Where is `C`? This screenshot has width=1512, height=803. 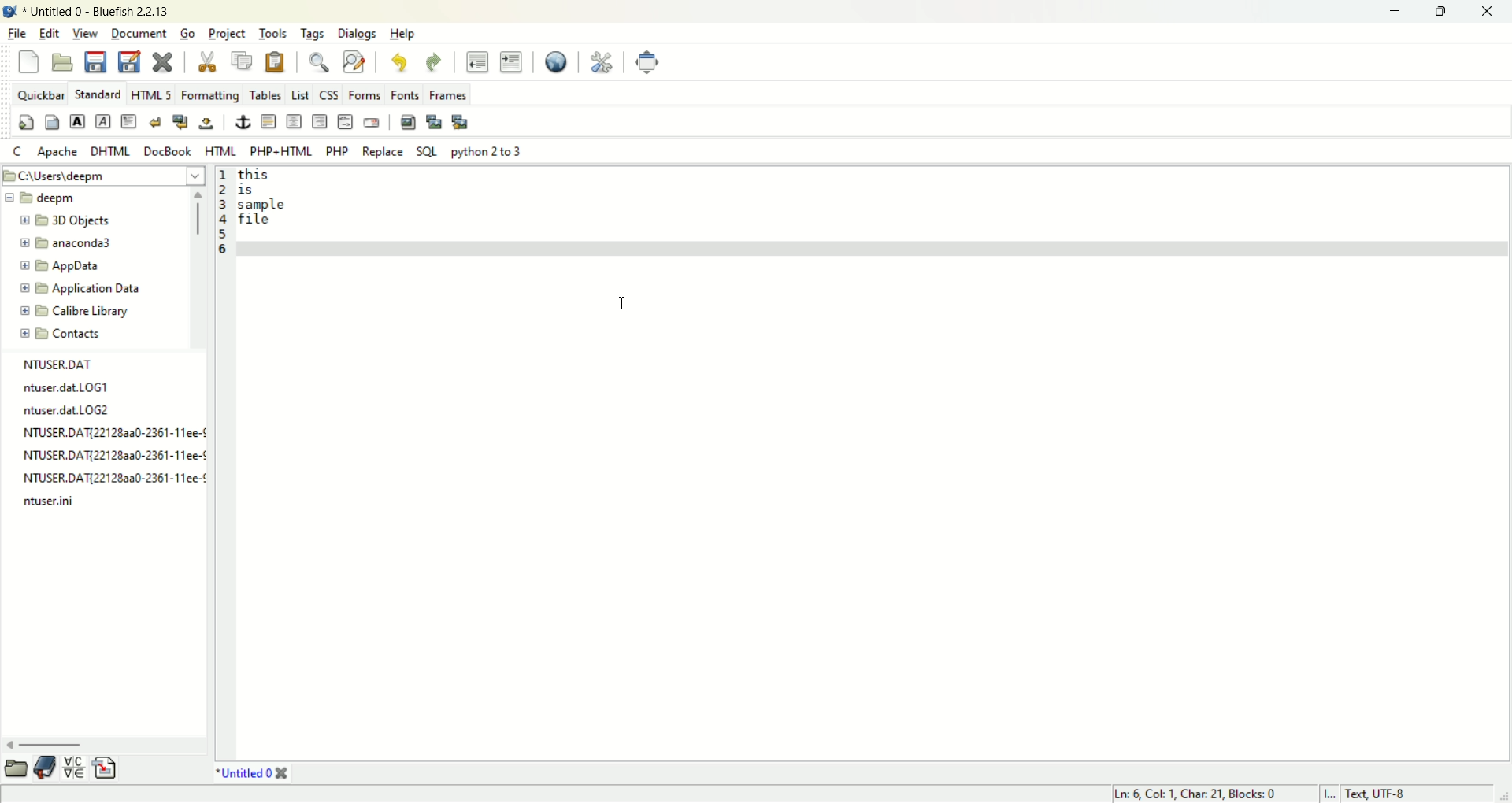
C is located at coordinates (18, 151).